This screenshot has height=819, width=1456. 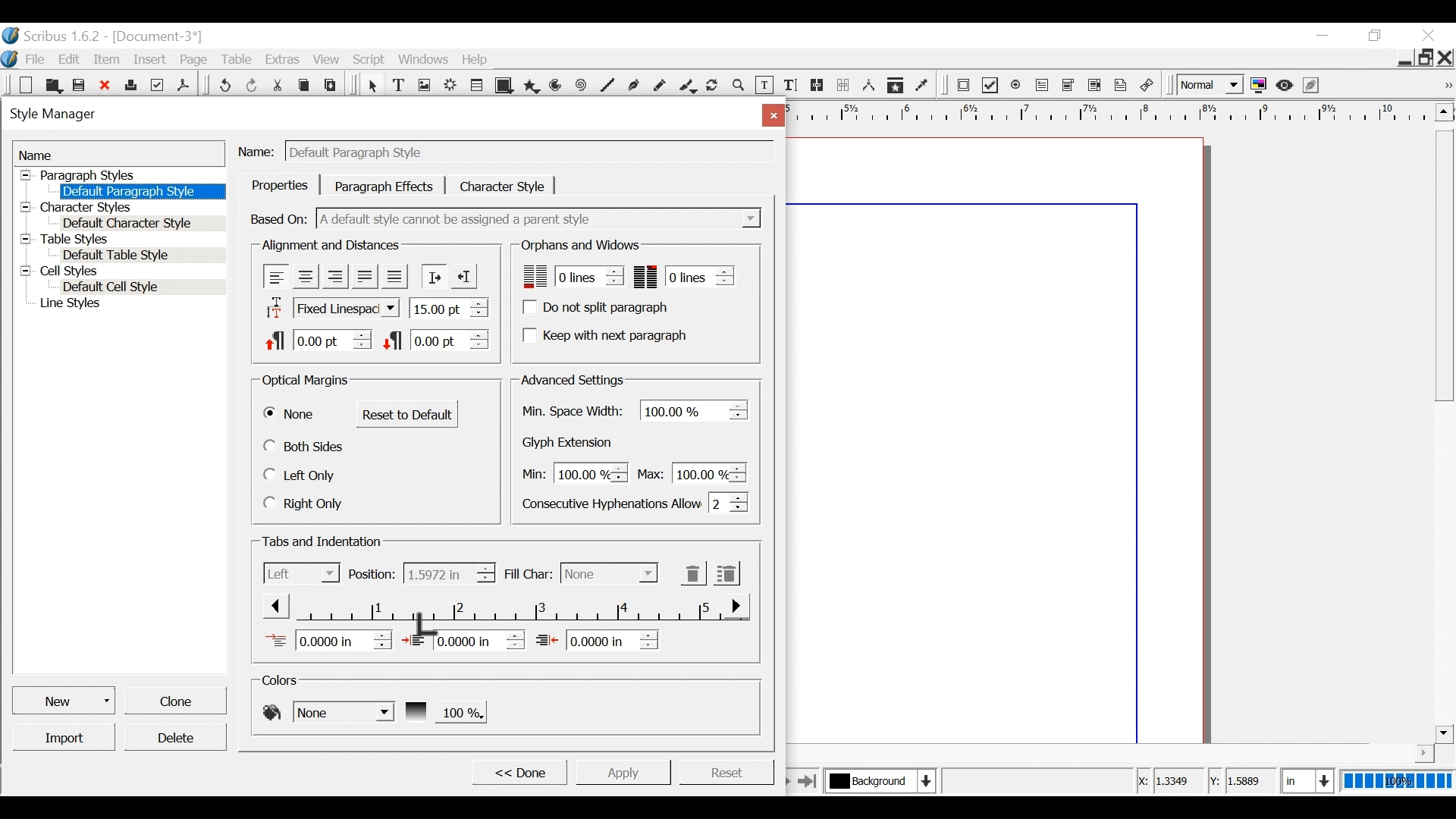 What do you see at coordinates (1431, 36) in the screenshot?
I see `Close` at bounding box center [1431, 36].